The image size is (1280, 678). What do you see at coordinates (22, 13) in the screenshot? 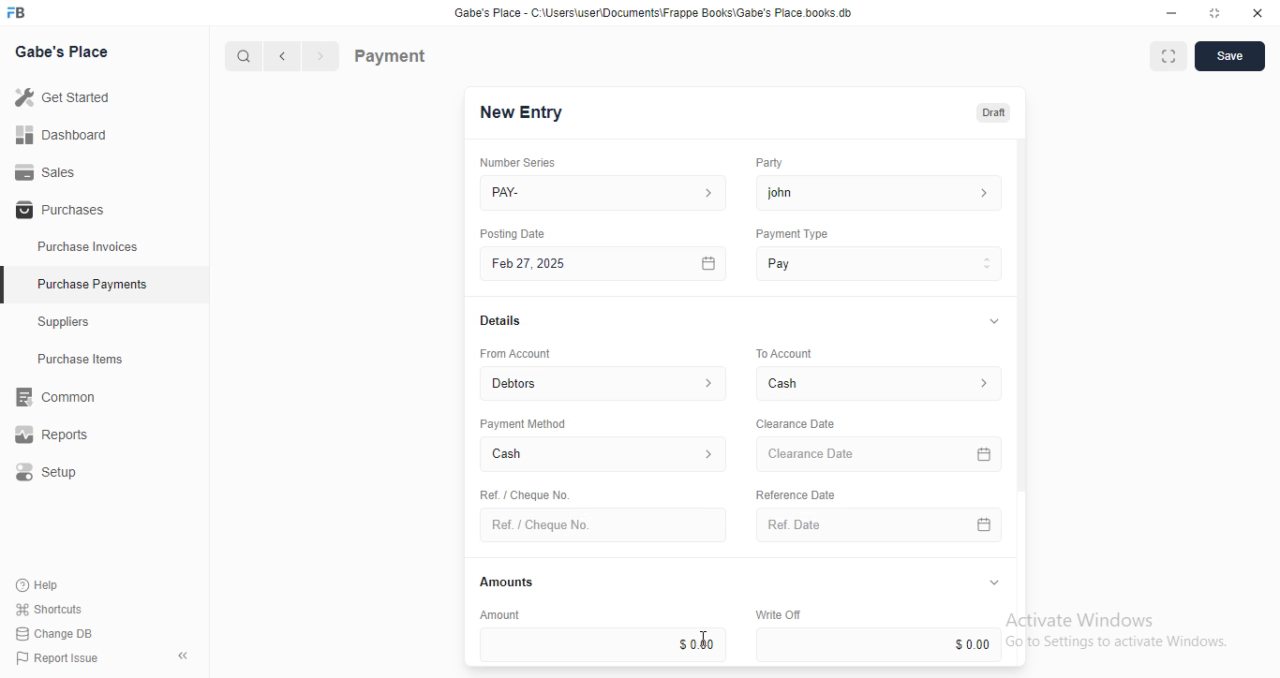
I see `logo` at bounding box center [22, 13].